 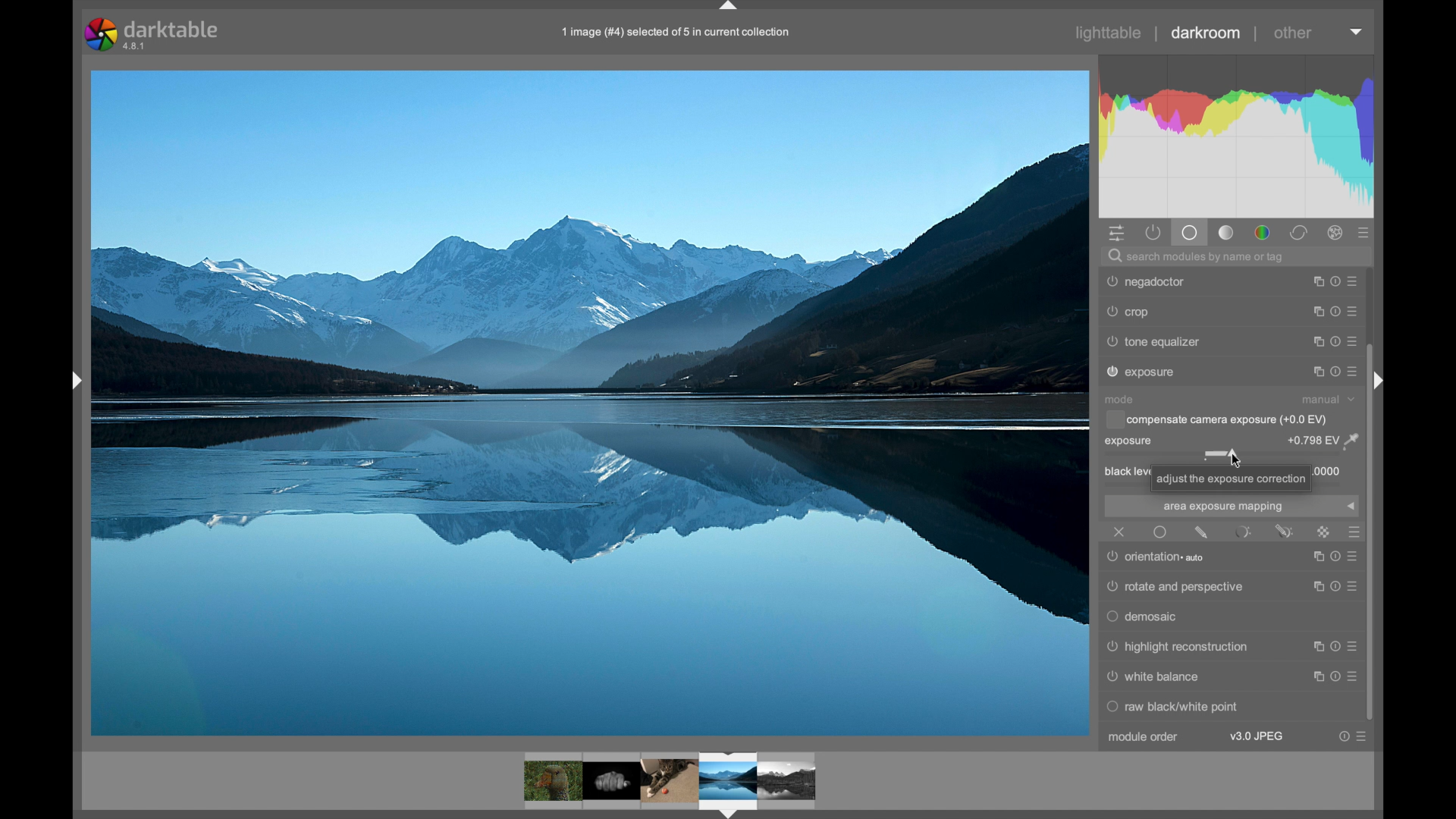 What do you see at coordinates (1177, 312) in the screenshot?
I see `shadows and highlights` at bounding box center [1177, 312].